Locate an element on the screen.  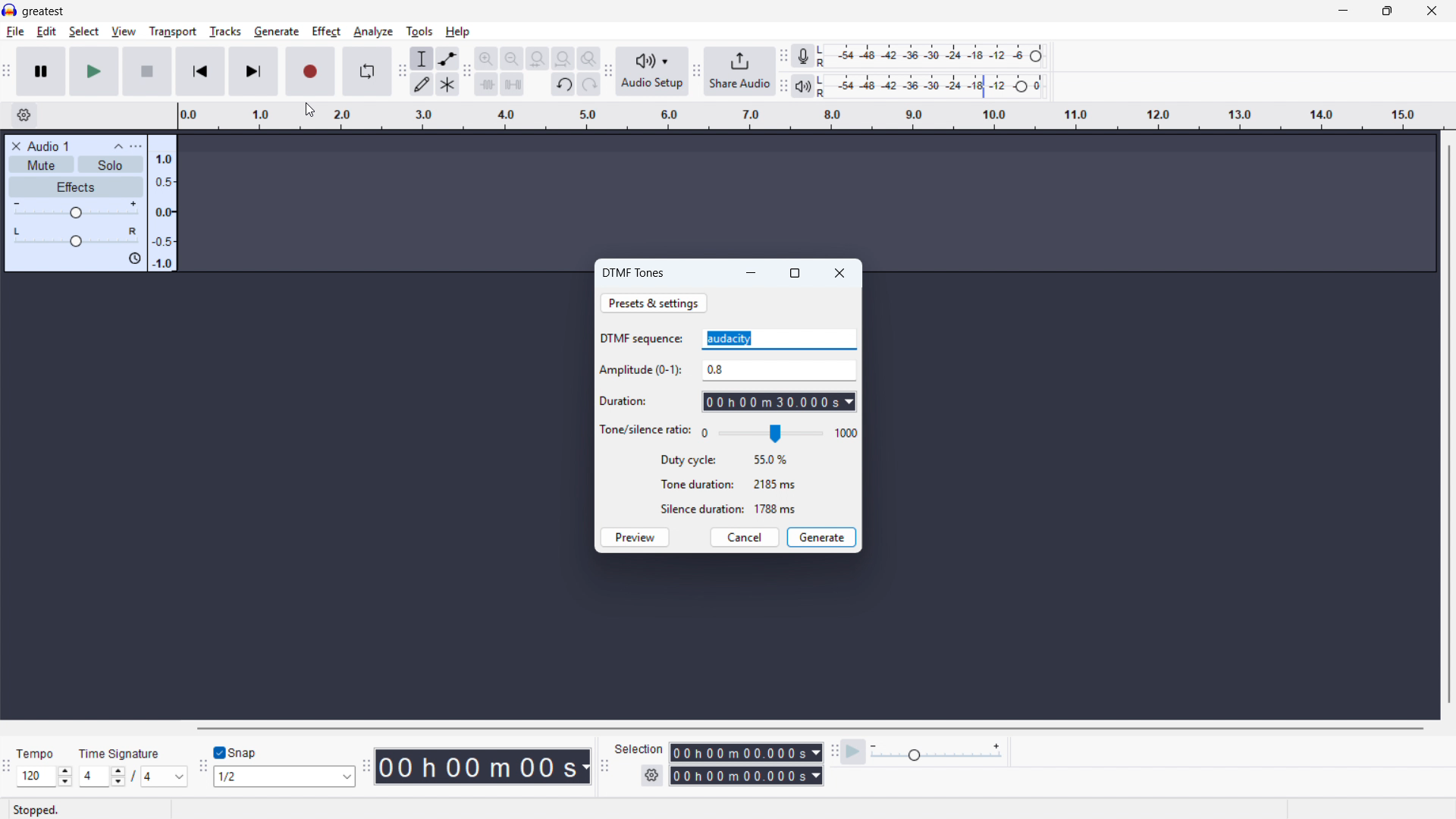
playback speed is located at coordinates (937, 752).